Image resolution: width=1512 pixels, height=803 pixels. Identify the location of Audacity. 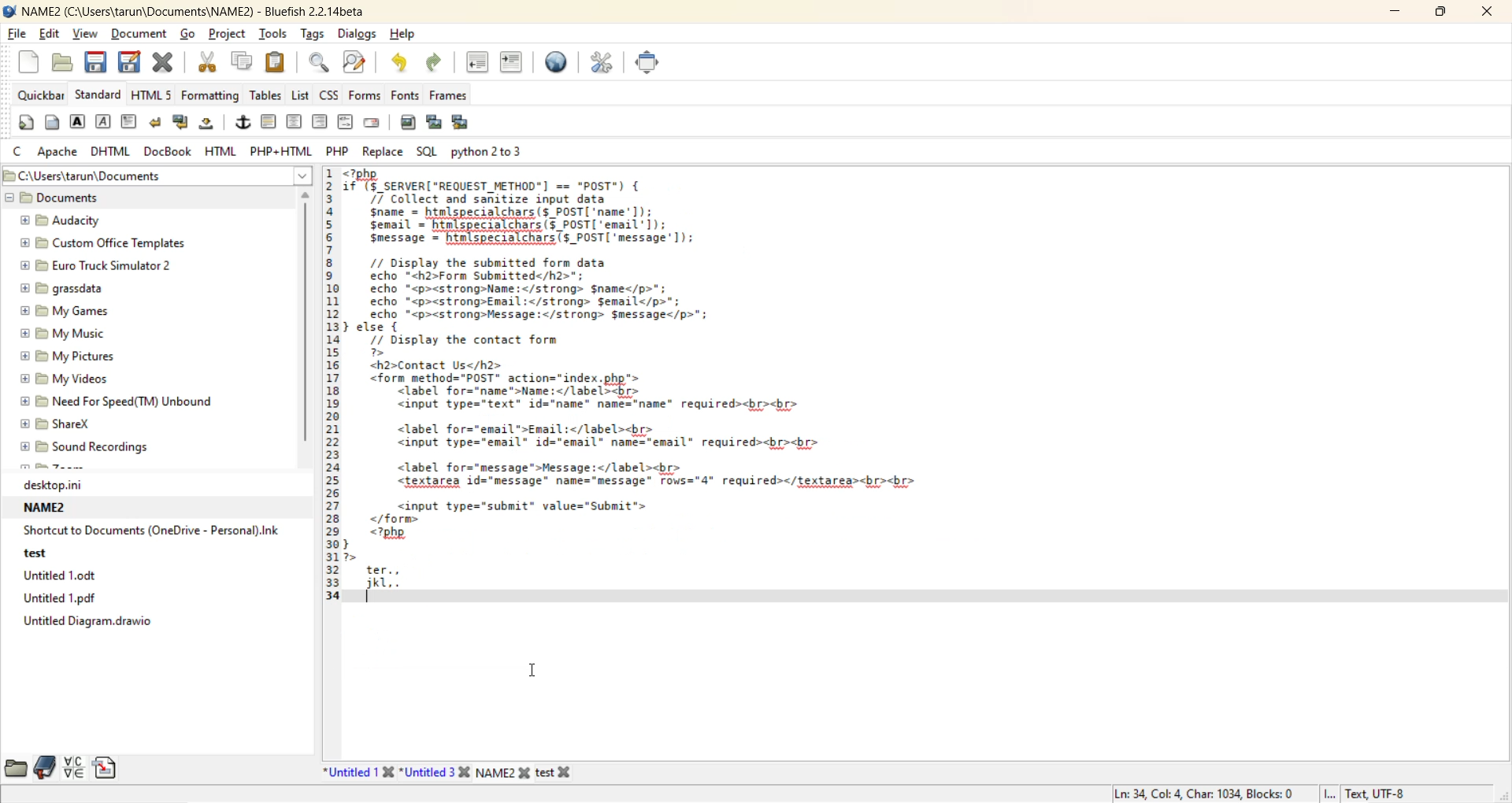
(75, 220).